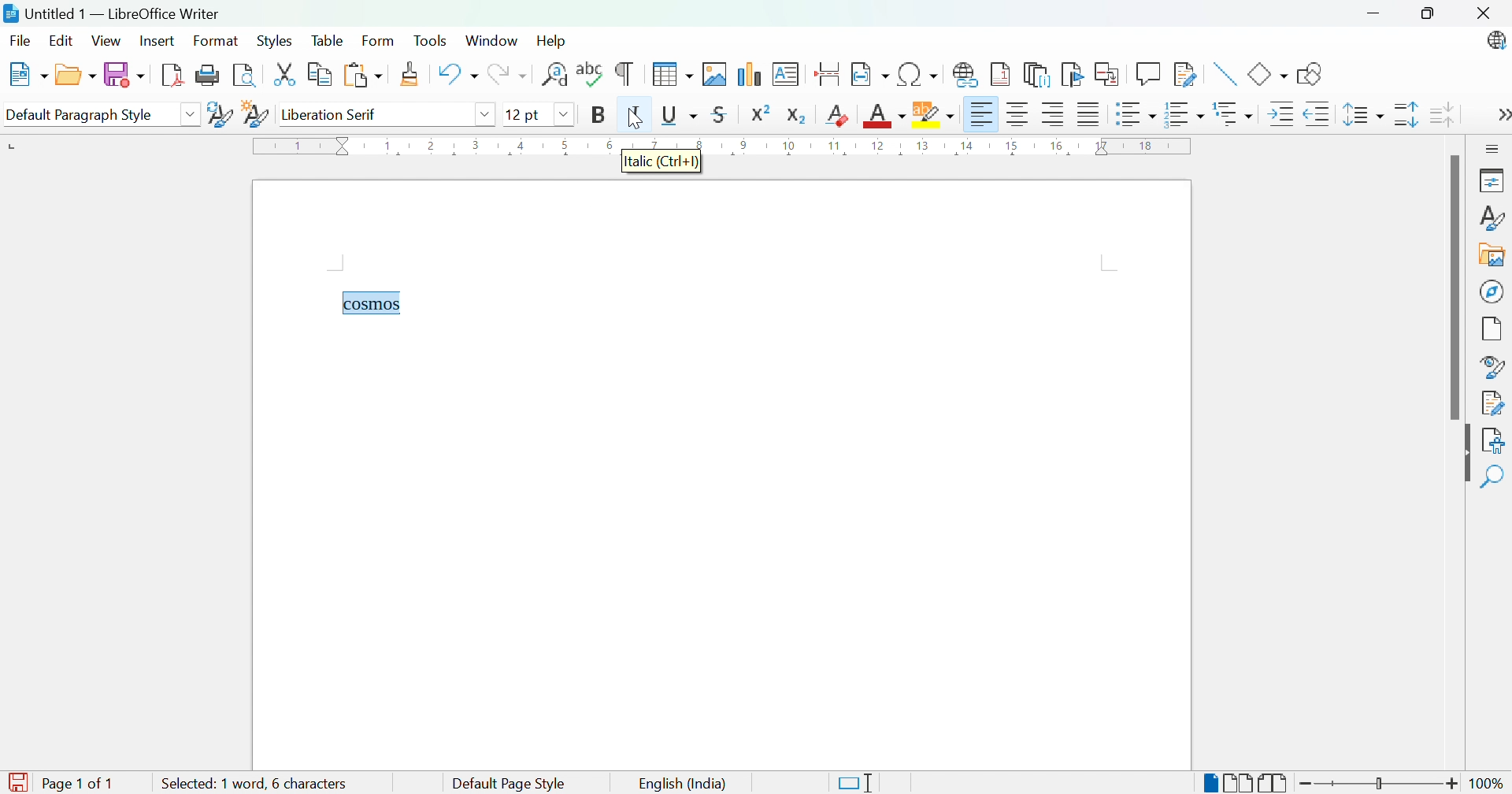 The image size is (1512, 794). What do you see at coordinates (1318, 115) in the screenshot?
I see `Decrease indent` at bounding box center [1318, 115].